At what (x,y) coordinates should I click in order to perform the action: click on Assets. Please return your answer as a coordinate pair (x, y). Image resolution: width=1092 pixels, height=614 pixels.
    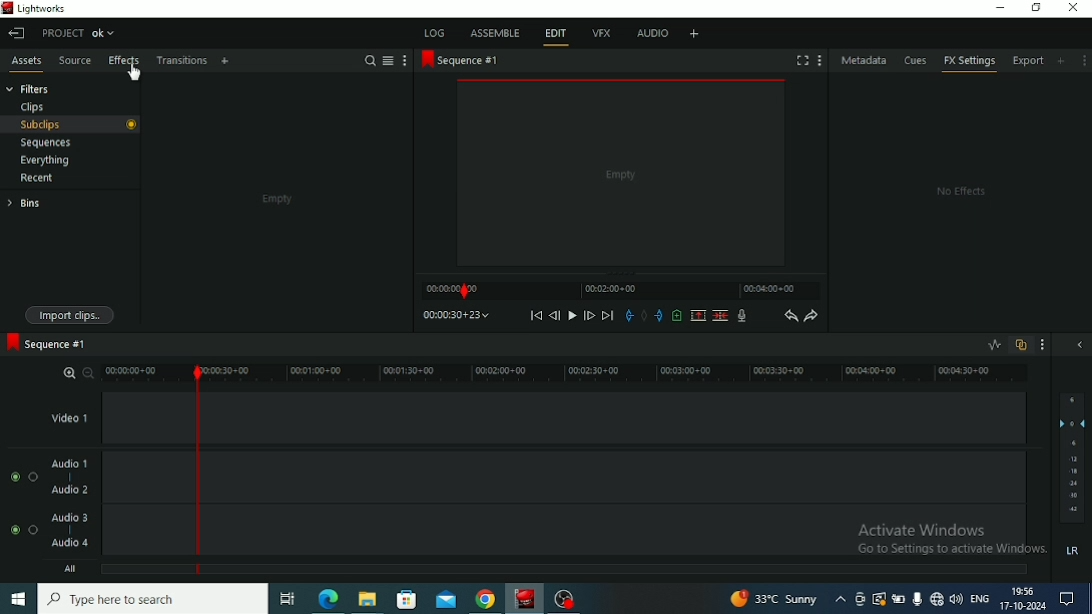
    Looking at the image, I should click on (26, 62).